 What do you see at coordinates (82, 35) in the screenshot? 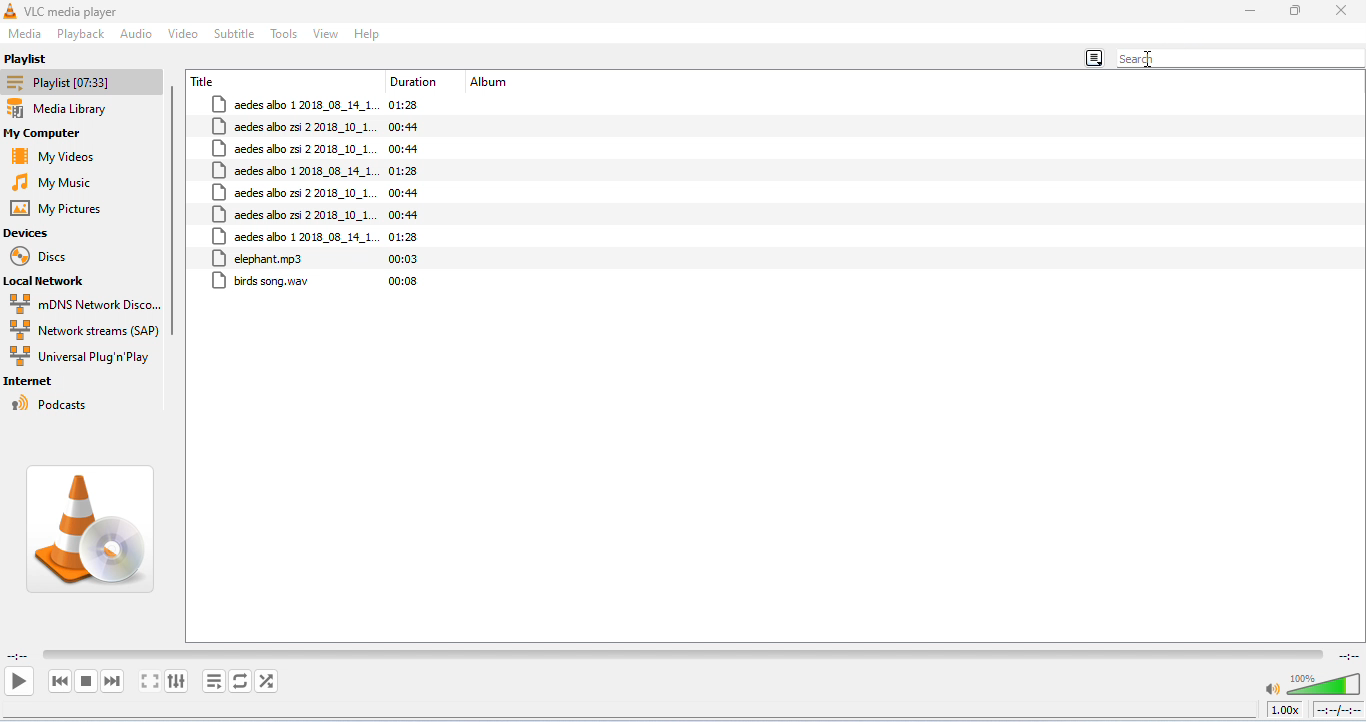
I see `playback` at bounding box center [82, 35].